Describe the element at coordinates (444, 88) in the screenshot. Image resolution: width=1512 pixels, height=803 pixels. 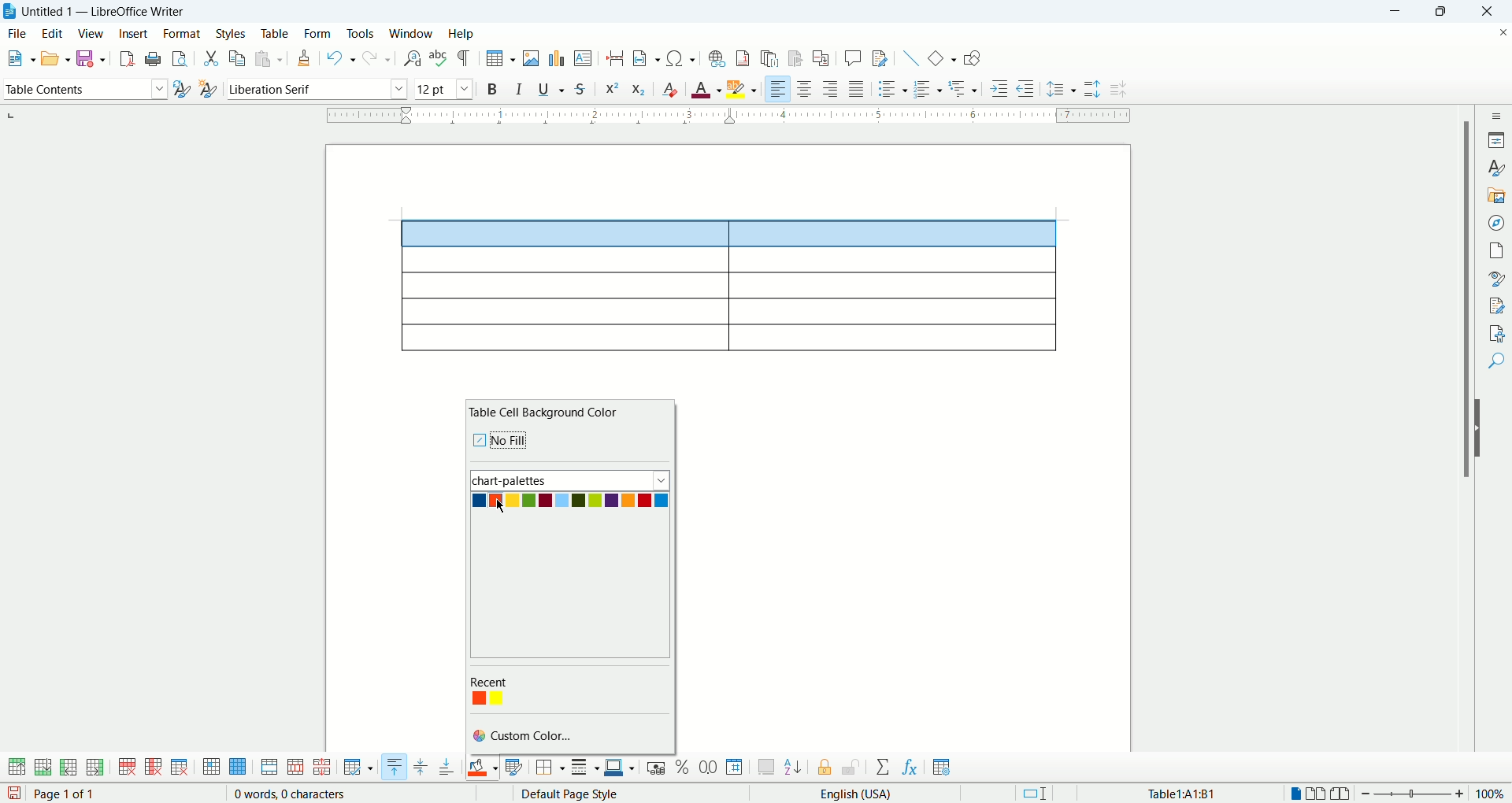
I see `font size` at that location.